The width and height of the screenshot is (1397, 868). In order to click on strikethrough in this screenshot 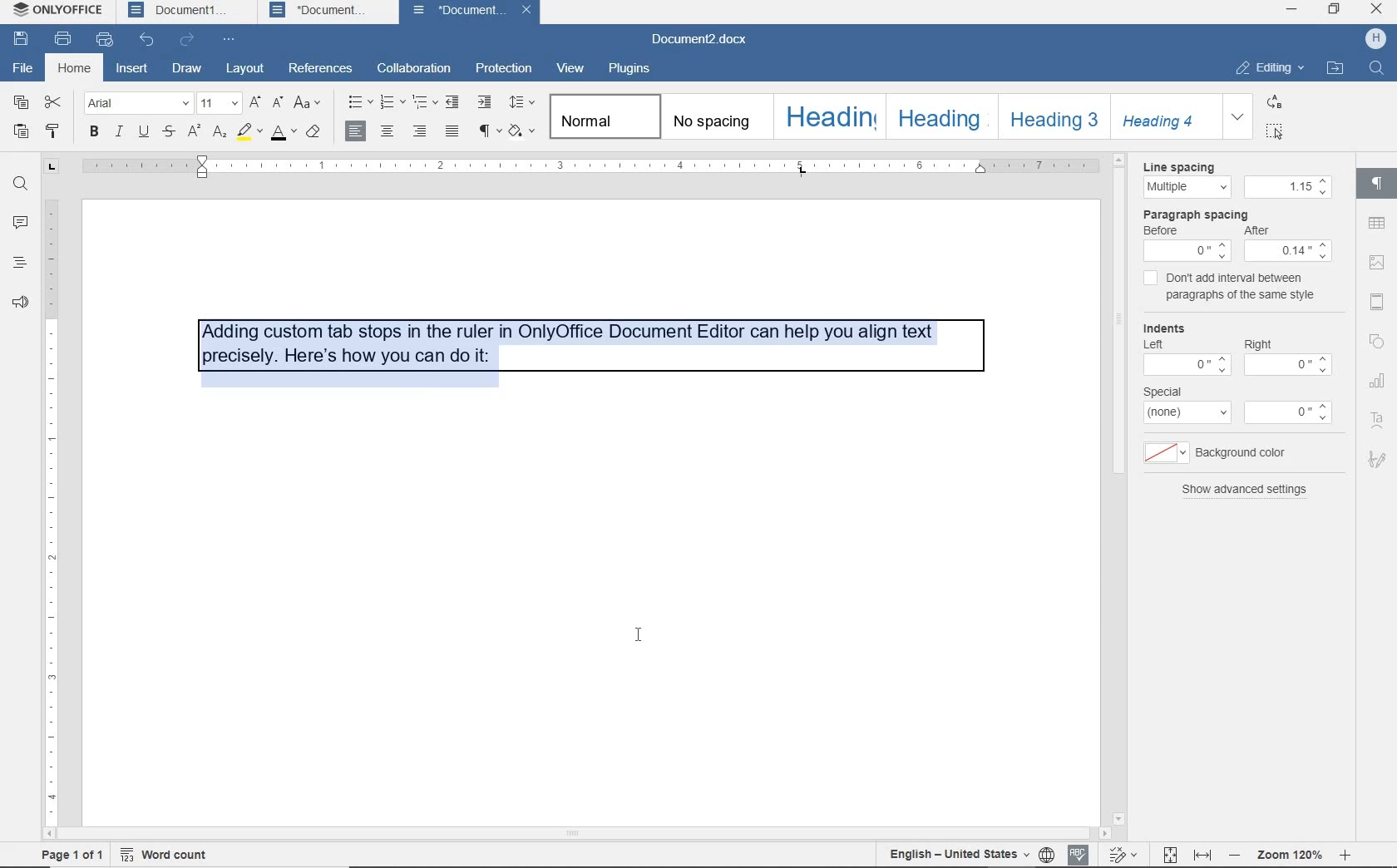, I will do `click(170, 132)`.